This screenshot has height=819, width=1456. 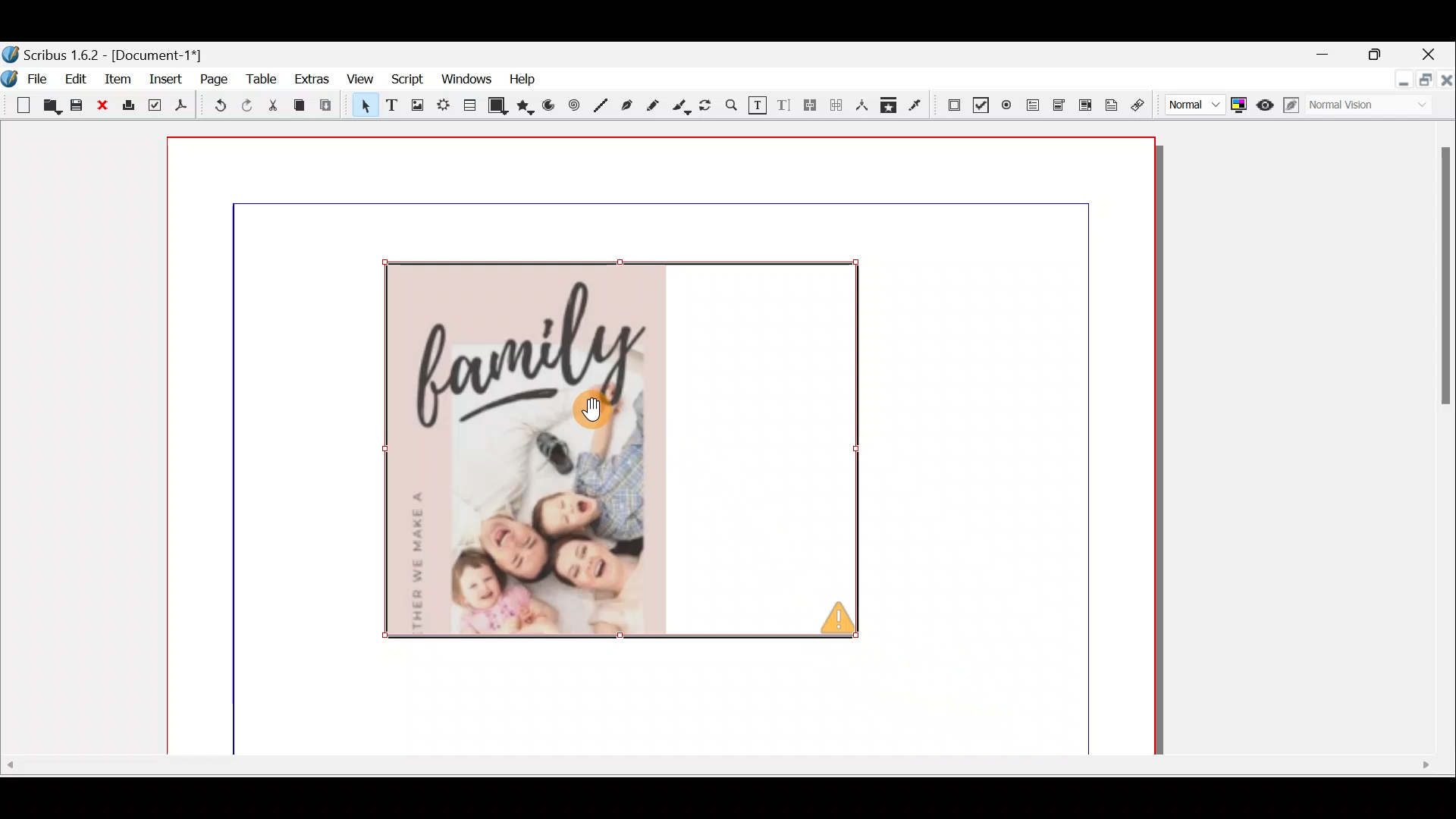 What do you see at coordinates (597, 105) in the screenshot?
I see `Line` at bounding box center [597, 105].